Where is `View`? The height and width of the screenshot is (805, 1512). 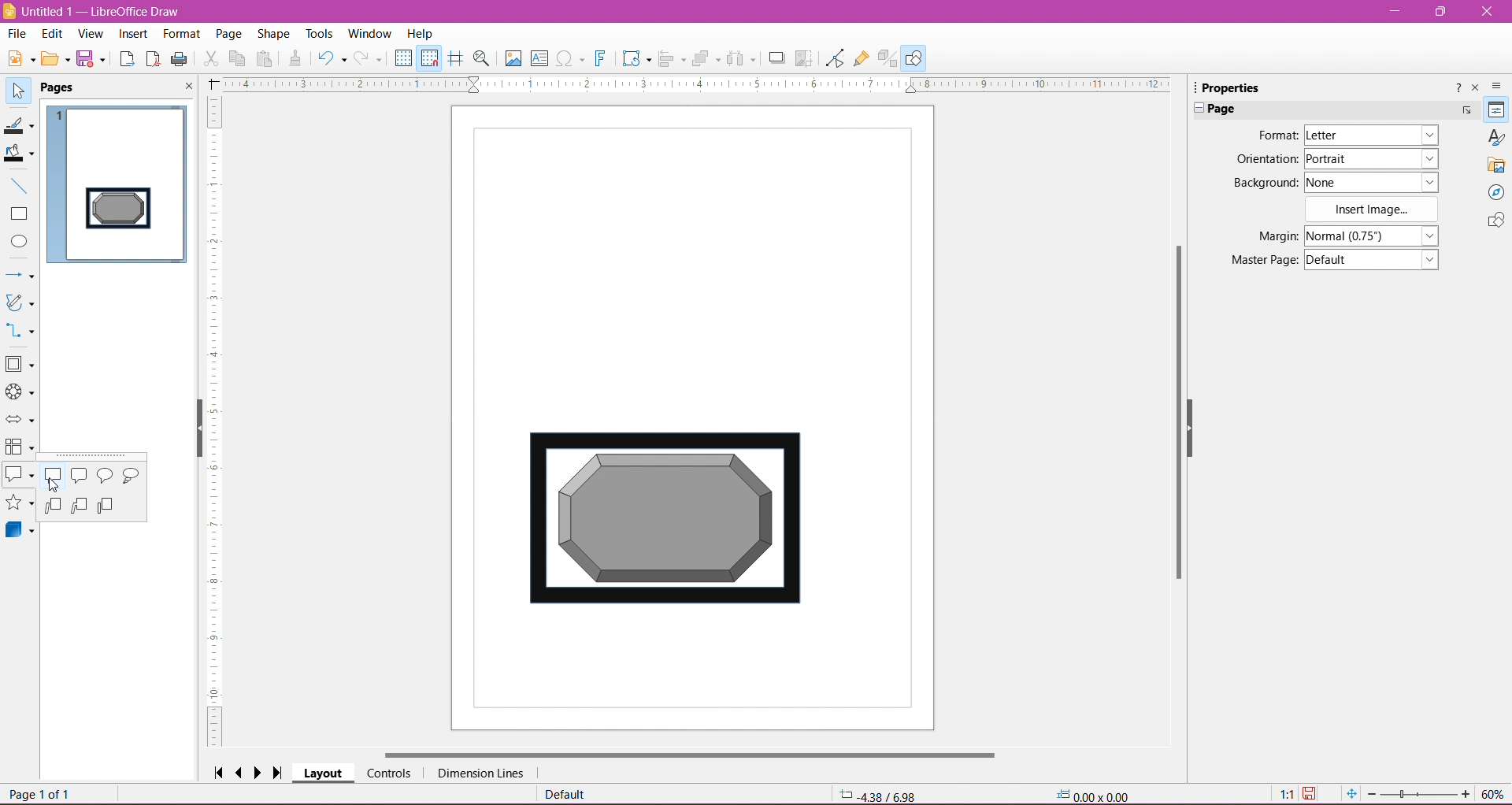 View is located at coordinates (90, 33).